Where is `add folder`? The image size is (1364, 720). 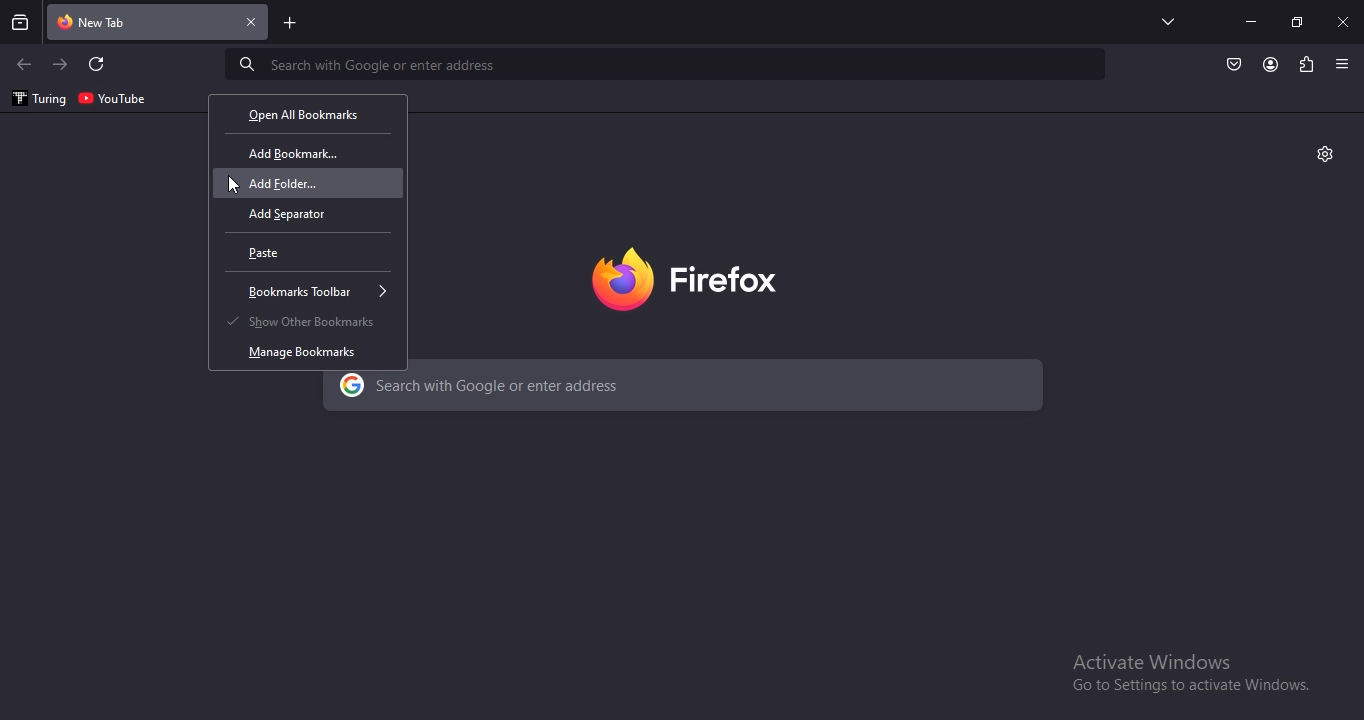 add folder is located at coordinates (296, 184).